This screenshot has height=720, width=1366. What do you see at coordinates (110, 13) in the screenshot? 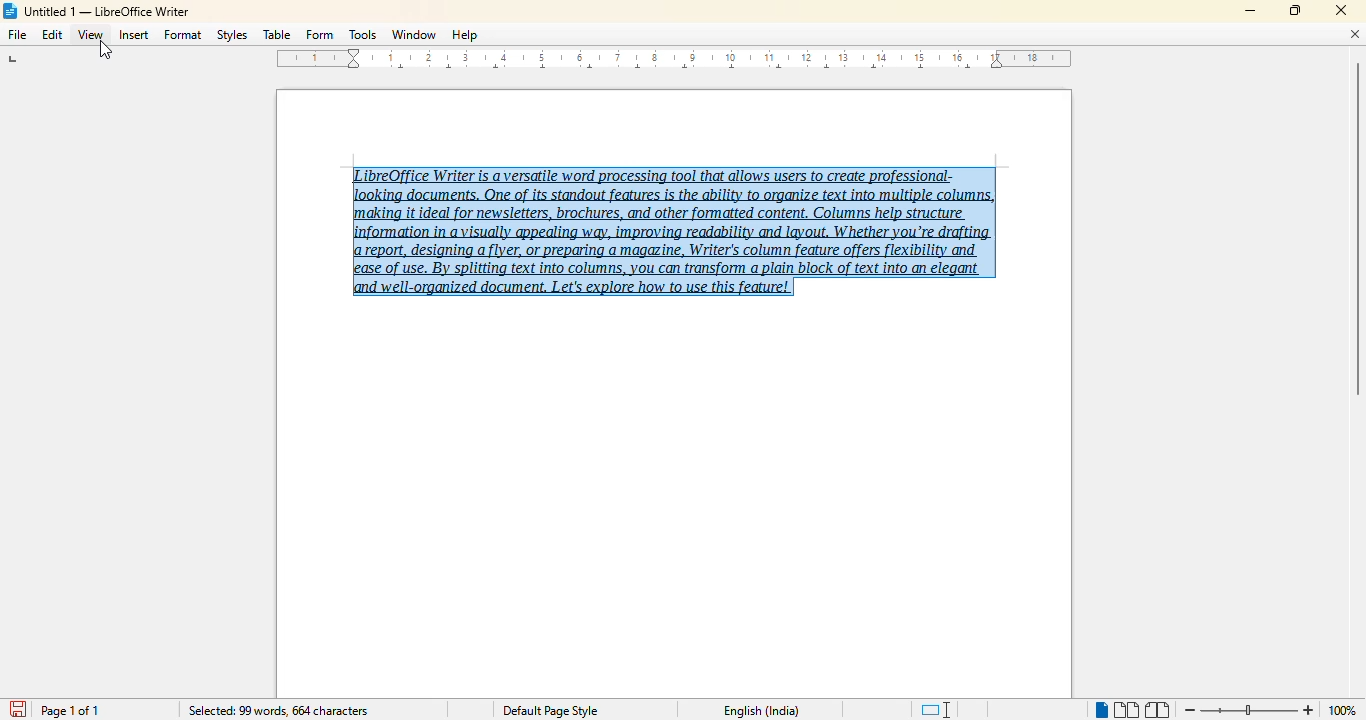
I see `Untitled 1 -- LibreOffice Writer` at bounding box center [110, 13].